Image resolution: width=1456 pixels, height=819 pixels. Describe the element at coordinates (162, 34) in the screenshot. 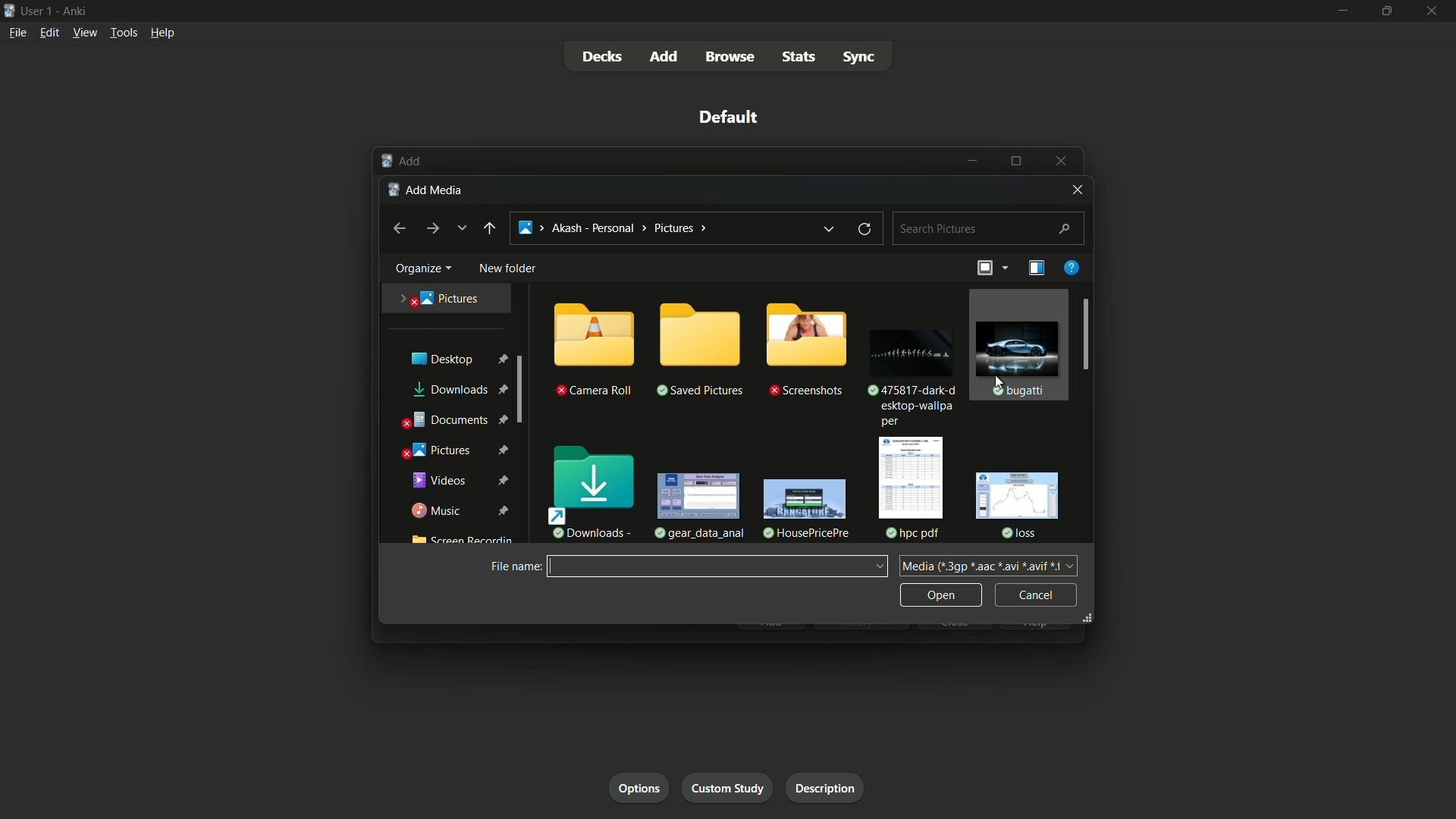

I see `help menu` at that location.